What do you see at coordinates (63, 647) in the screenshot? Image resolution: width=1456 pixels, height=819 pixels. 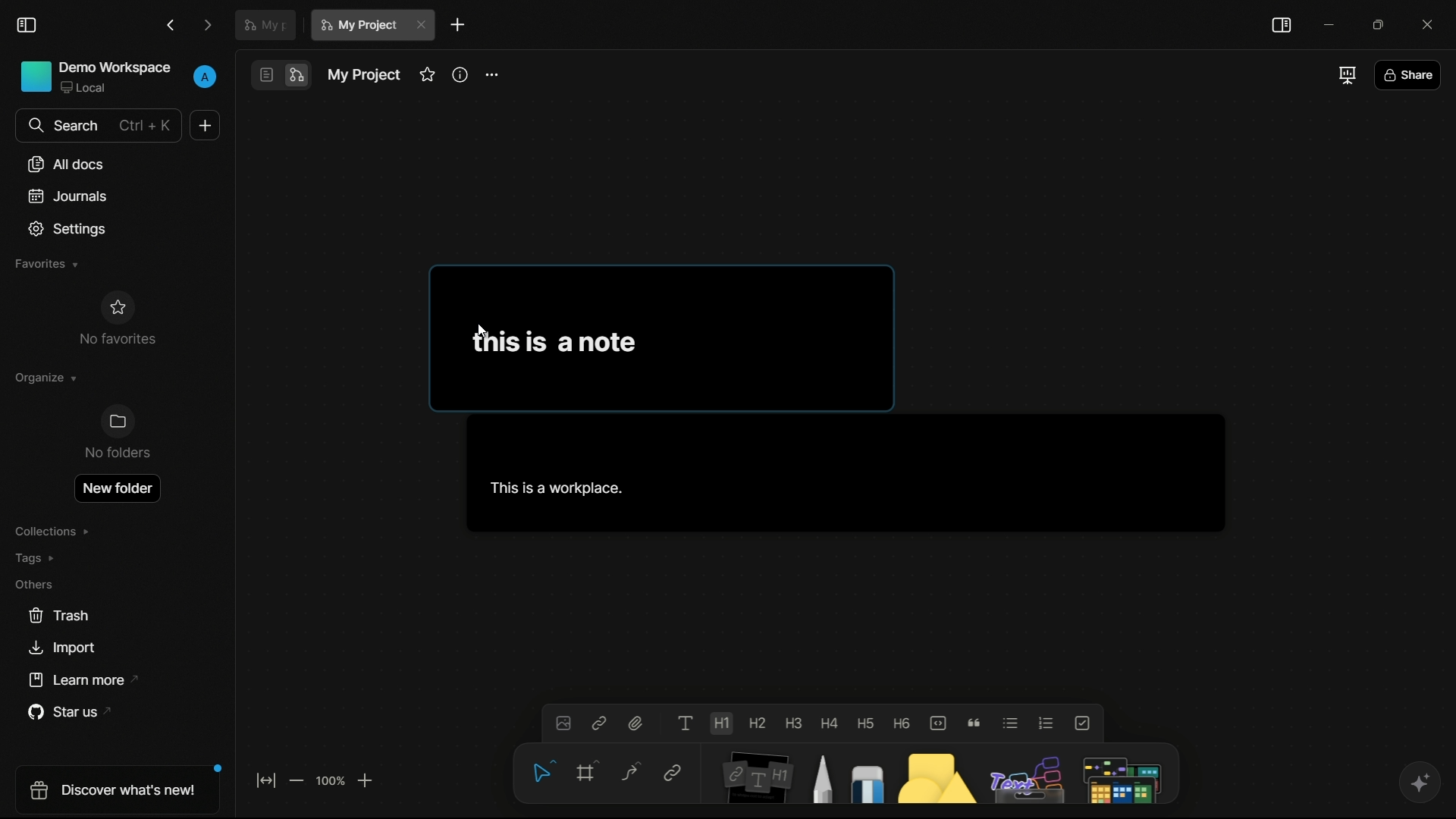 I see `import` at bounding box center [63, 647].